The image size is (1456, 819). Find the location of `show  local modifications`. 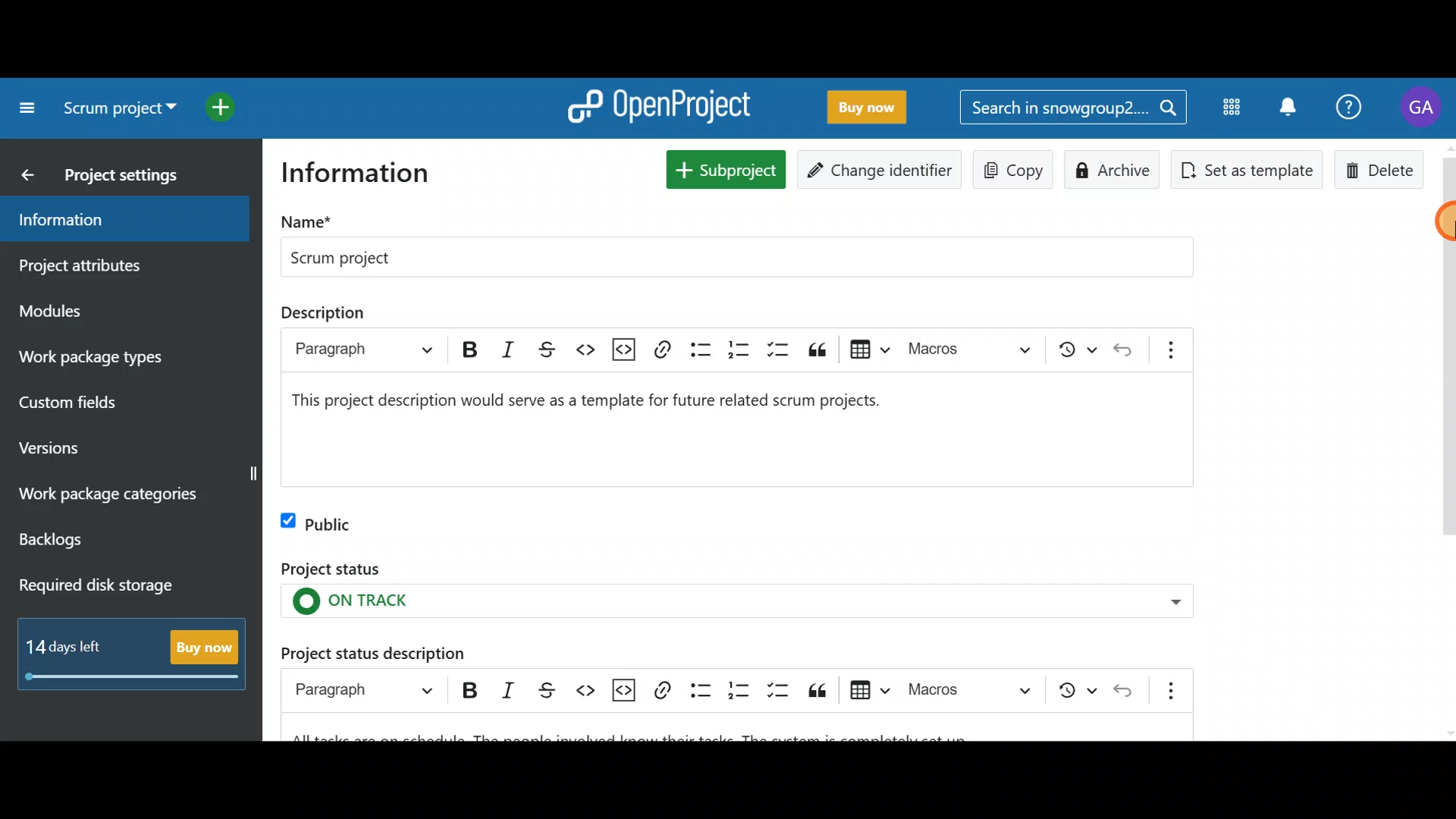

show  local modifications is located at coordinates (1076, 349).